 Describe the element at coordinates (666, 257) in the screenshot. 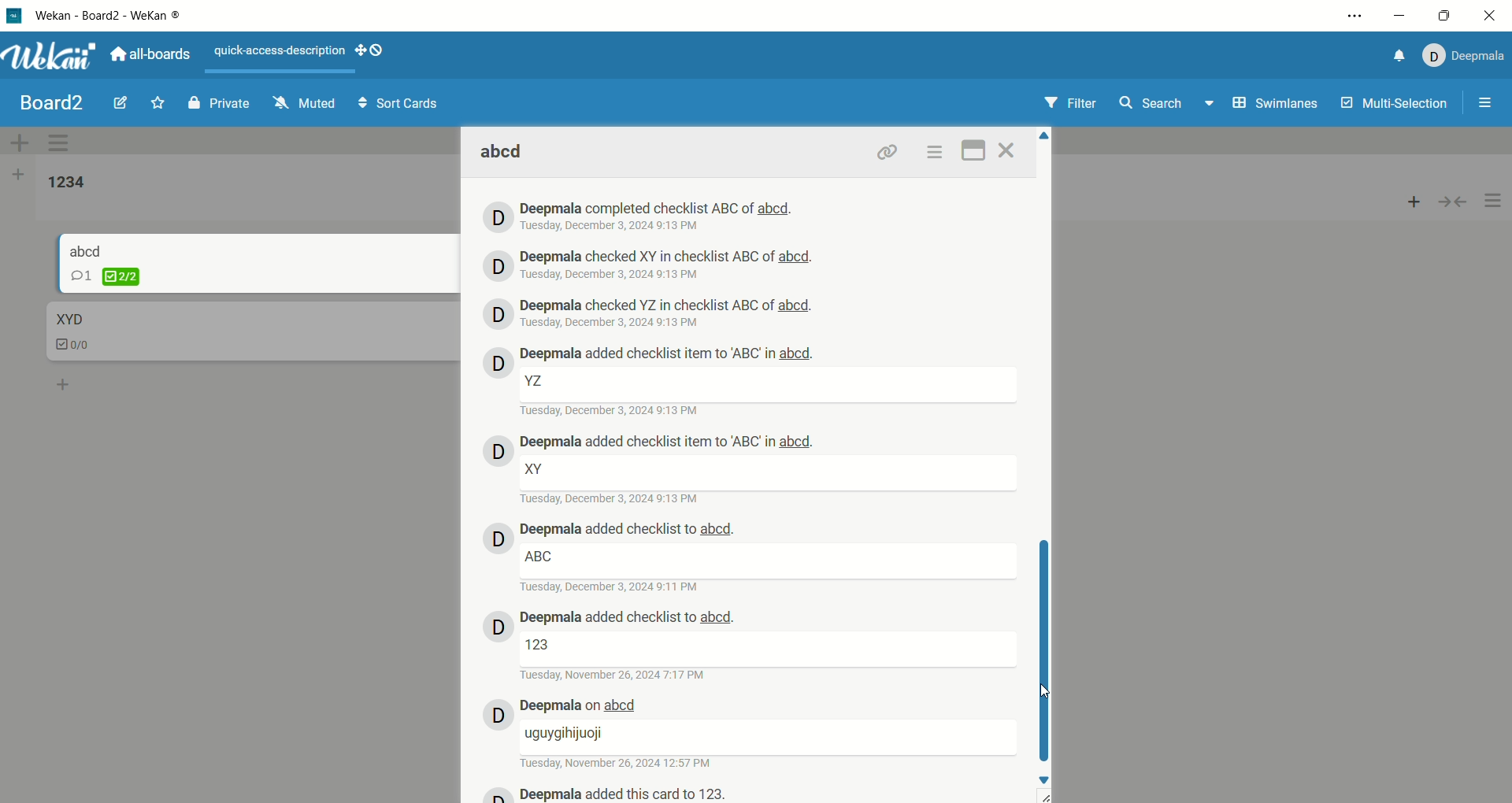

I see `deepmala history` at that location.